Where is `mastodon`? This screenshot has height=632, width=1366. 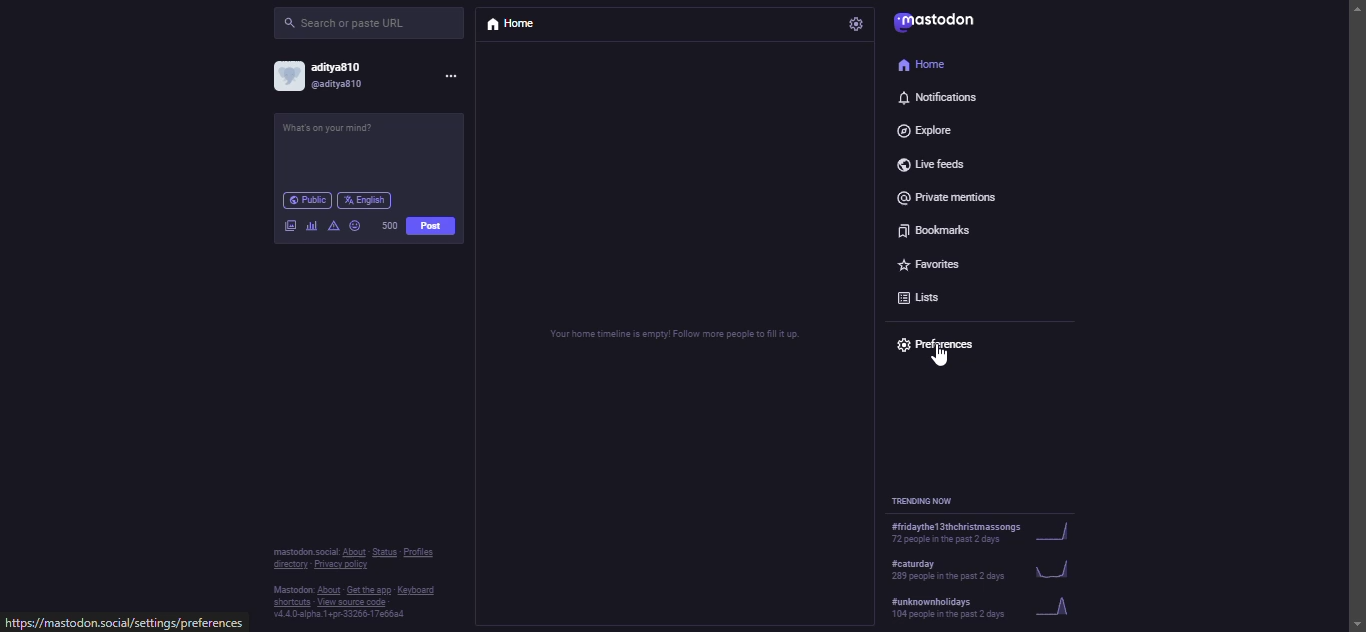 mastodon is located at coordinates (934, 23).